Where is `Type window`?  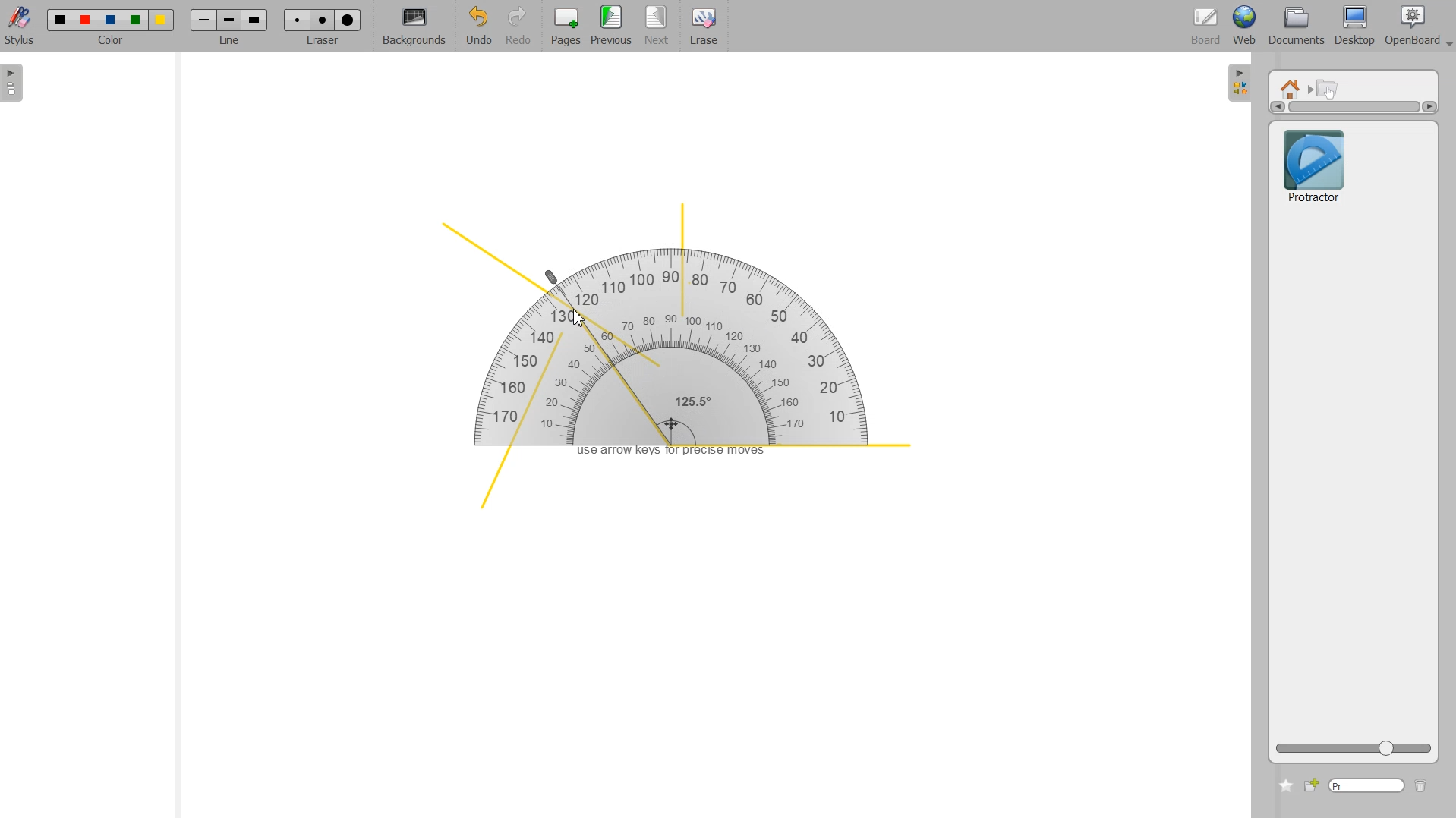
Type window is located at coordinates (1366, 786).